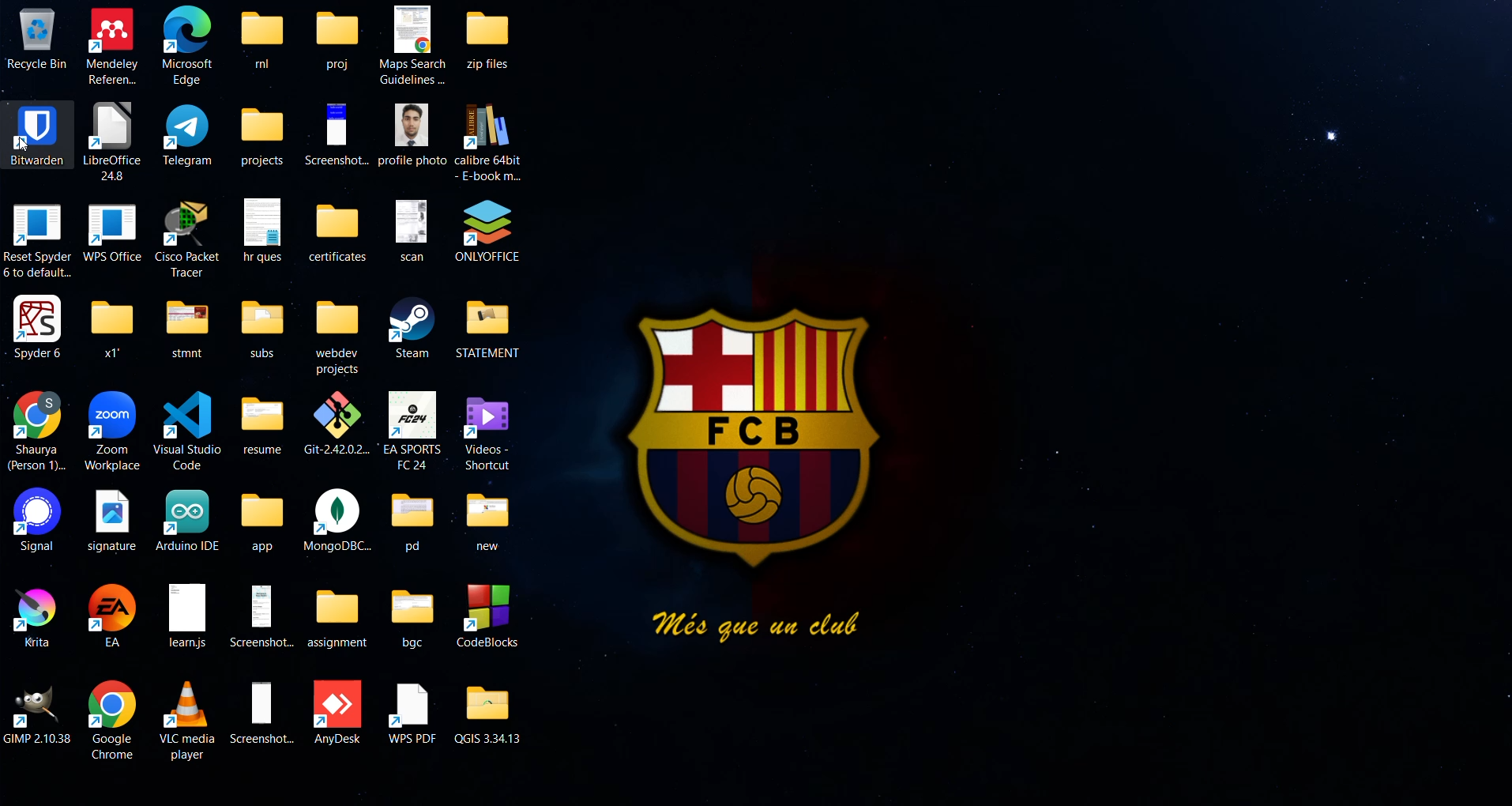 This screenshot has height=806, width=1512. Describe the element at coordinates (113, 45) in the screenshot. I see `Mendeley Referen...` at that location.